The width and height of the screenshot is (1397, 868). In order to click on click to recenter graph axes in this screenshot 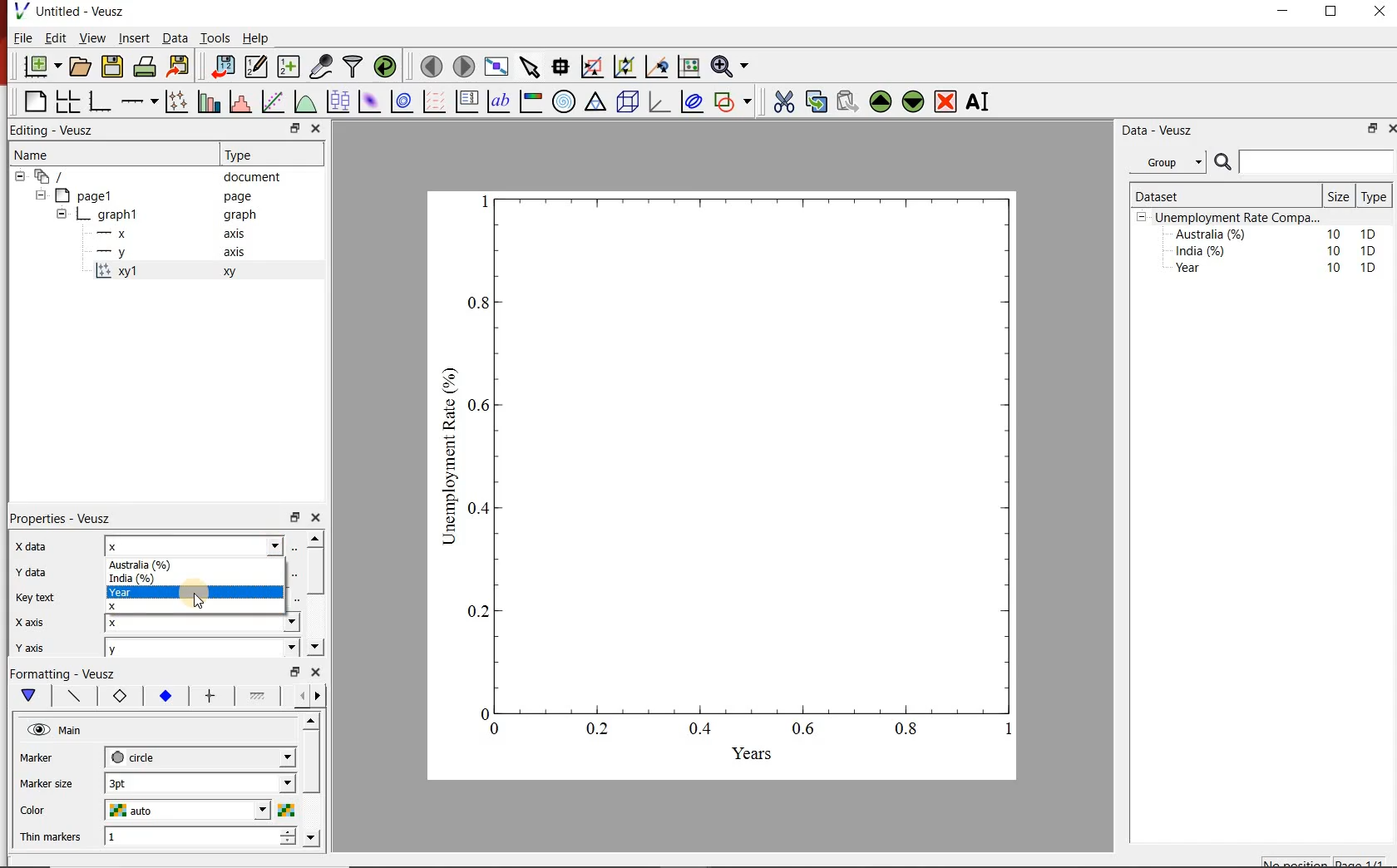, I will do `click(658, 66)`.